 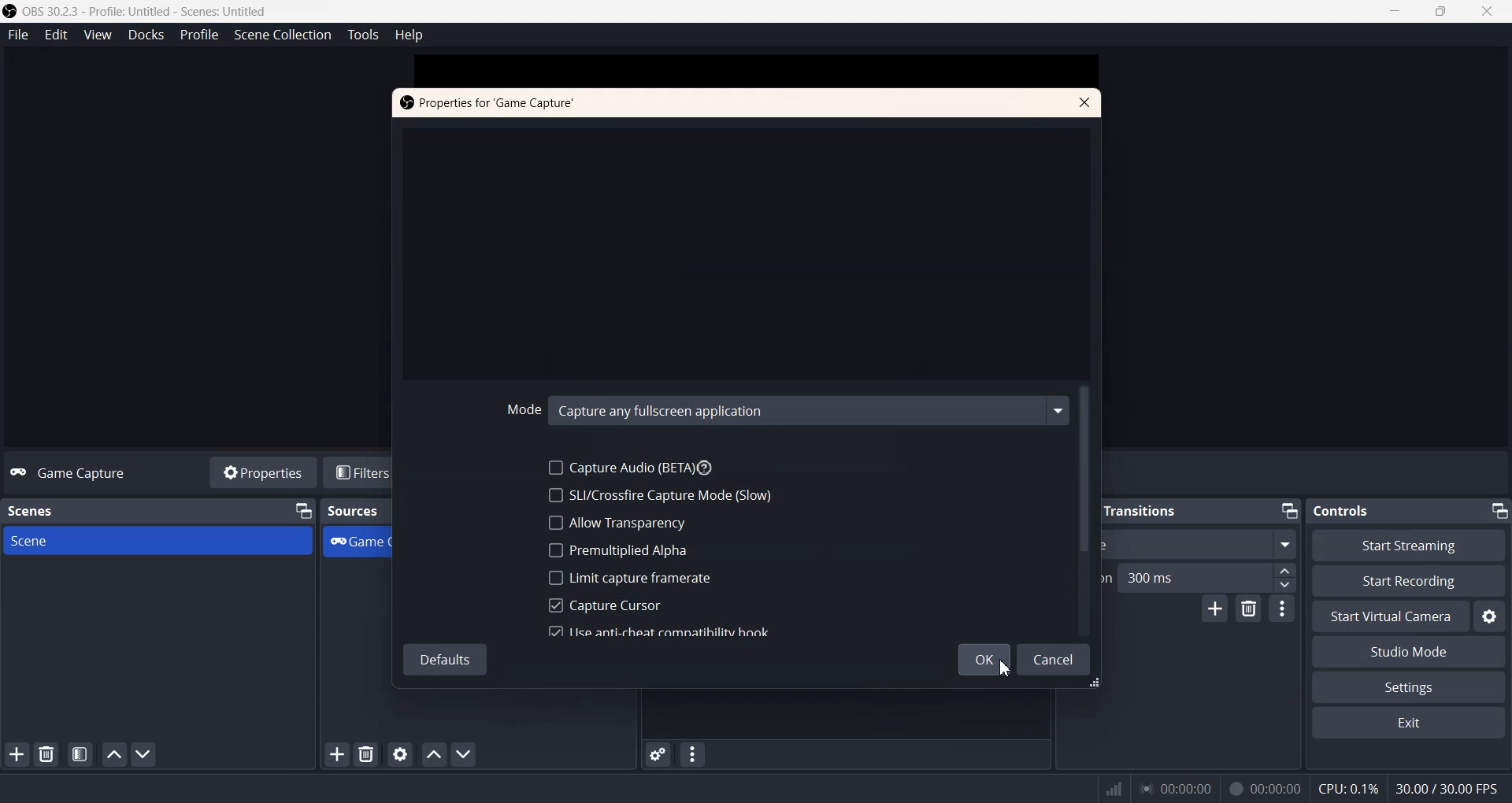 I want to click on Advanced Audio properties, so click(x=657, y=754).